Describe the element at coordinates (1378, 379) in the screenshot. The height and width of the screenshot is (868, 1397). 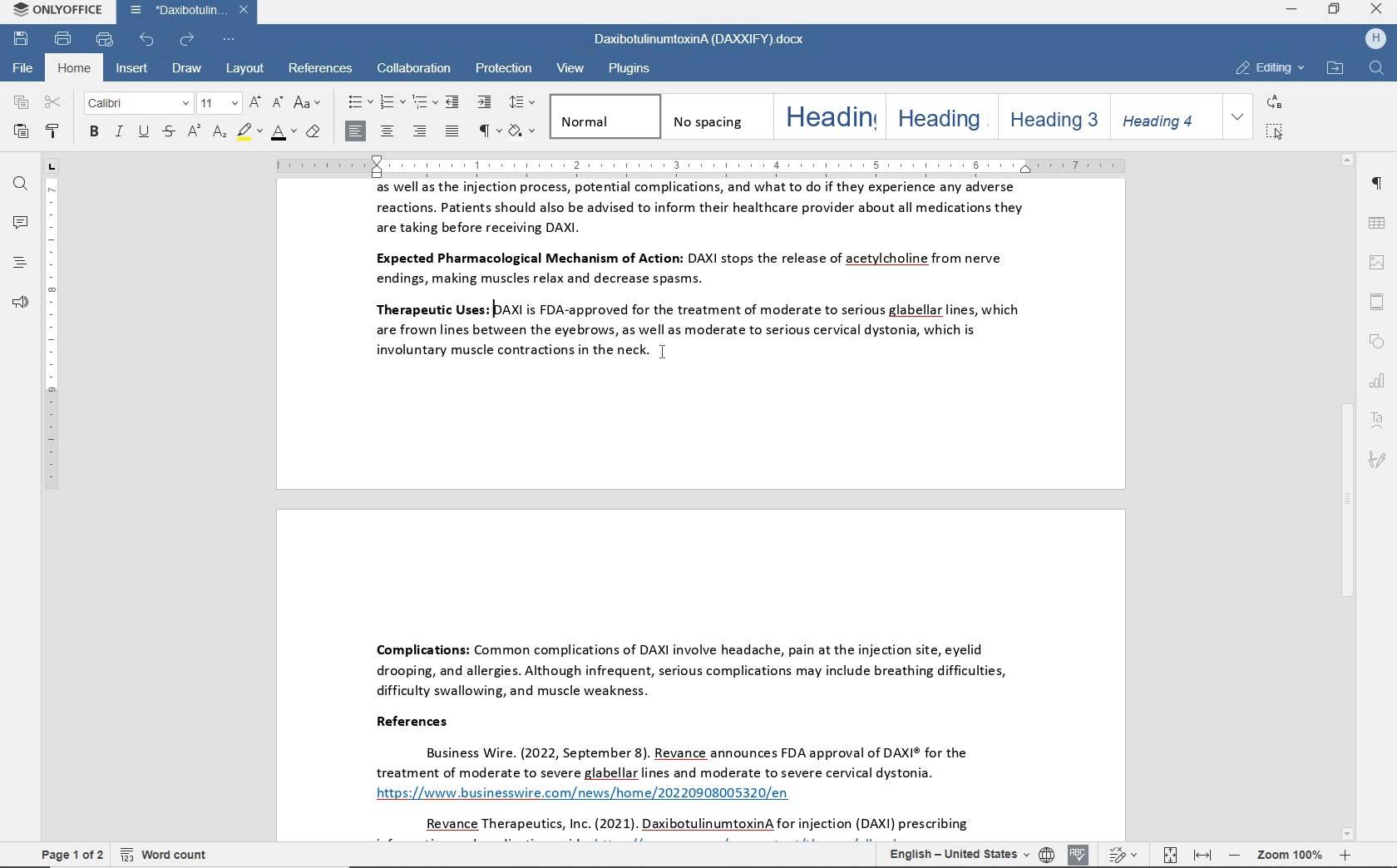
I see `chart` at that location.